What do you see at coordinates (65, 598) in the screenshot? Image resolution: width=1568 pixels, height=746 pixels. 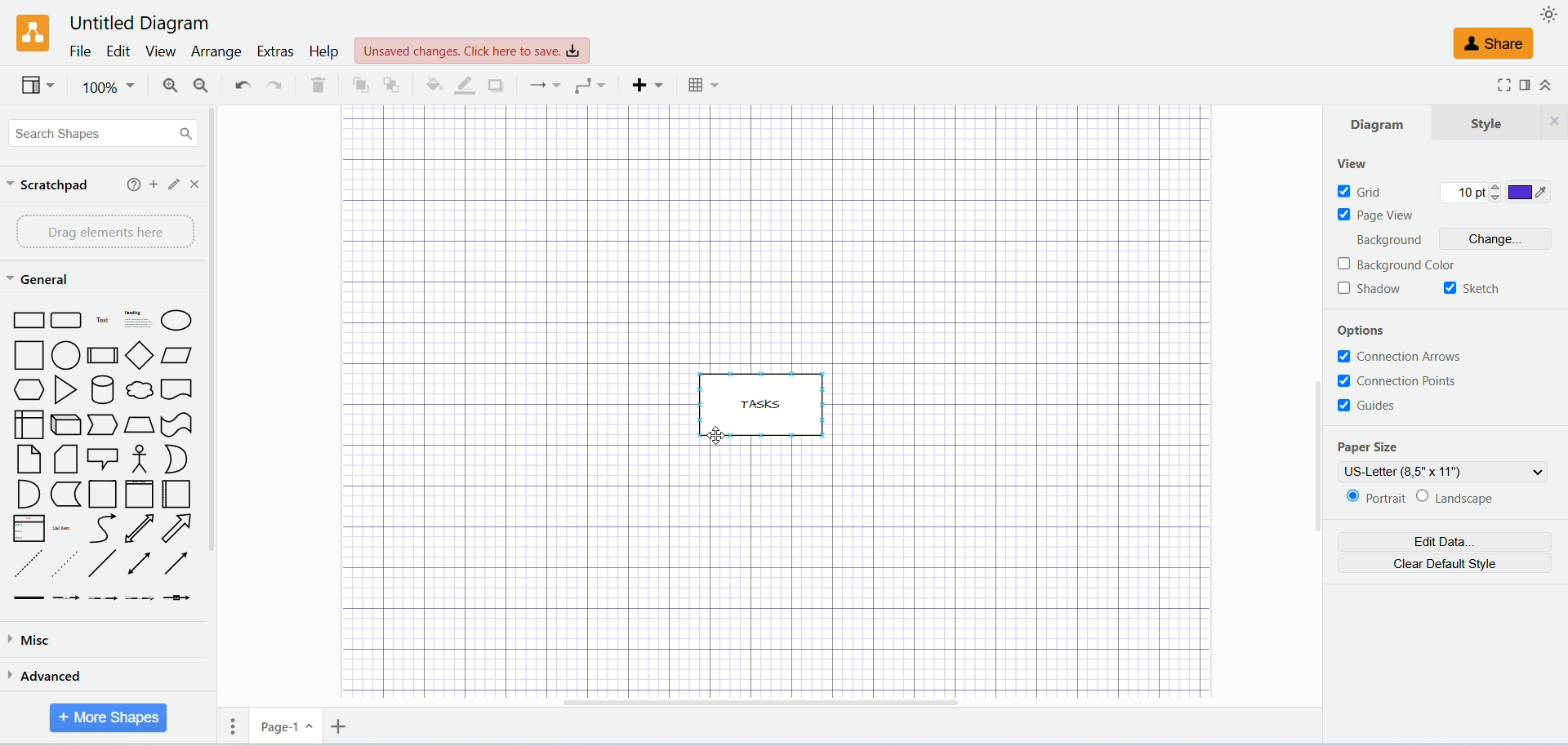 I see `Connector with label` at bounding box center [65, 598].